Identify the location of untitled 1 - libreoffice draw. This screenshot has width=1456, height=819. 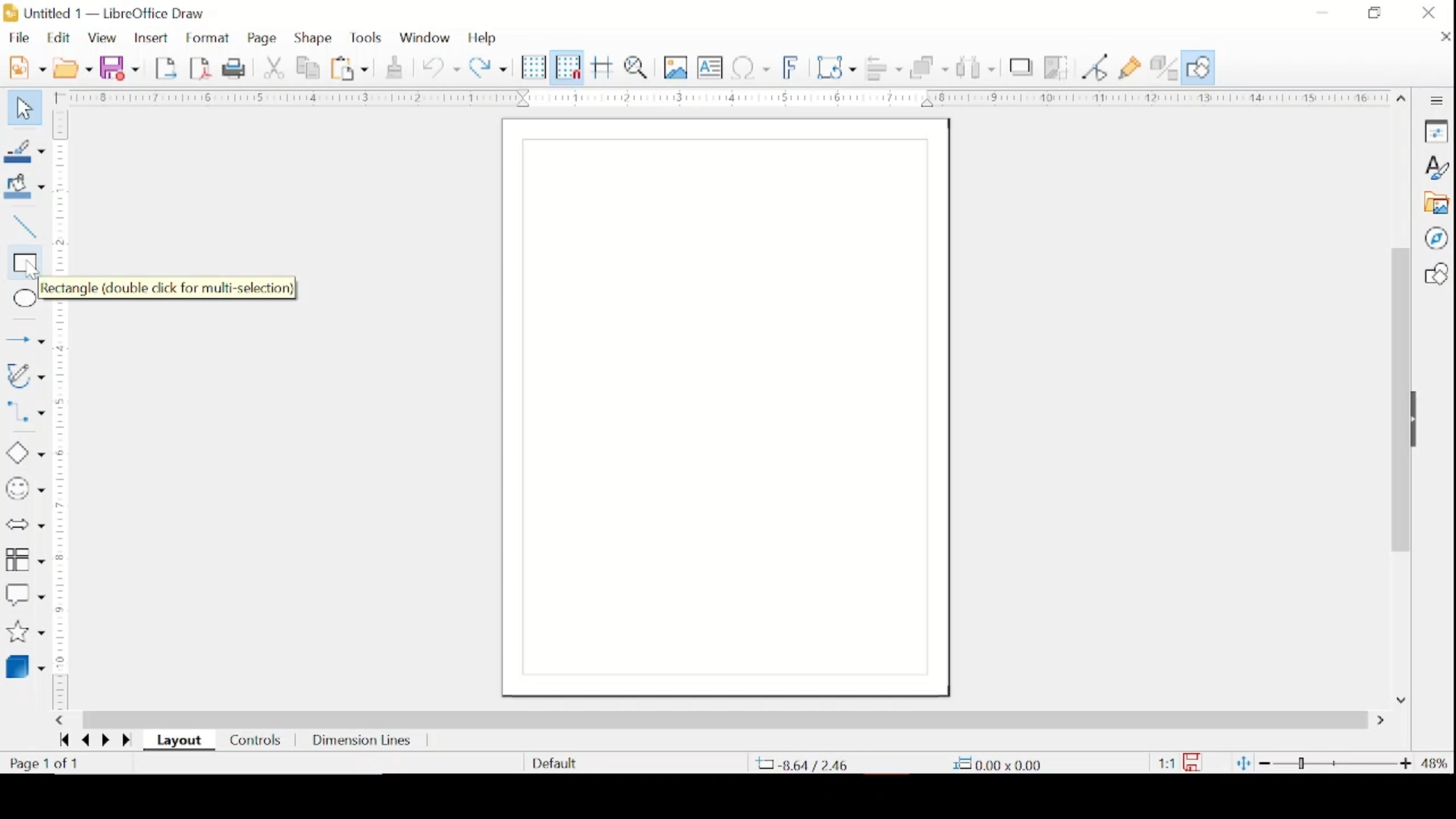
(107, 14).